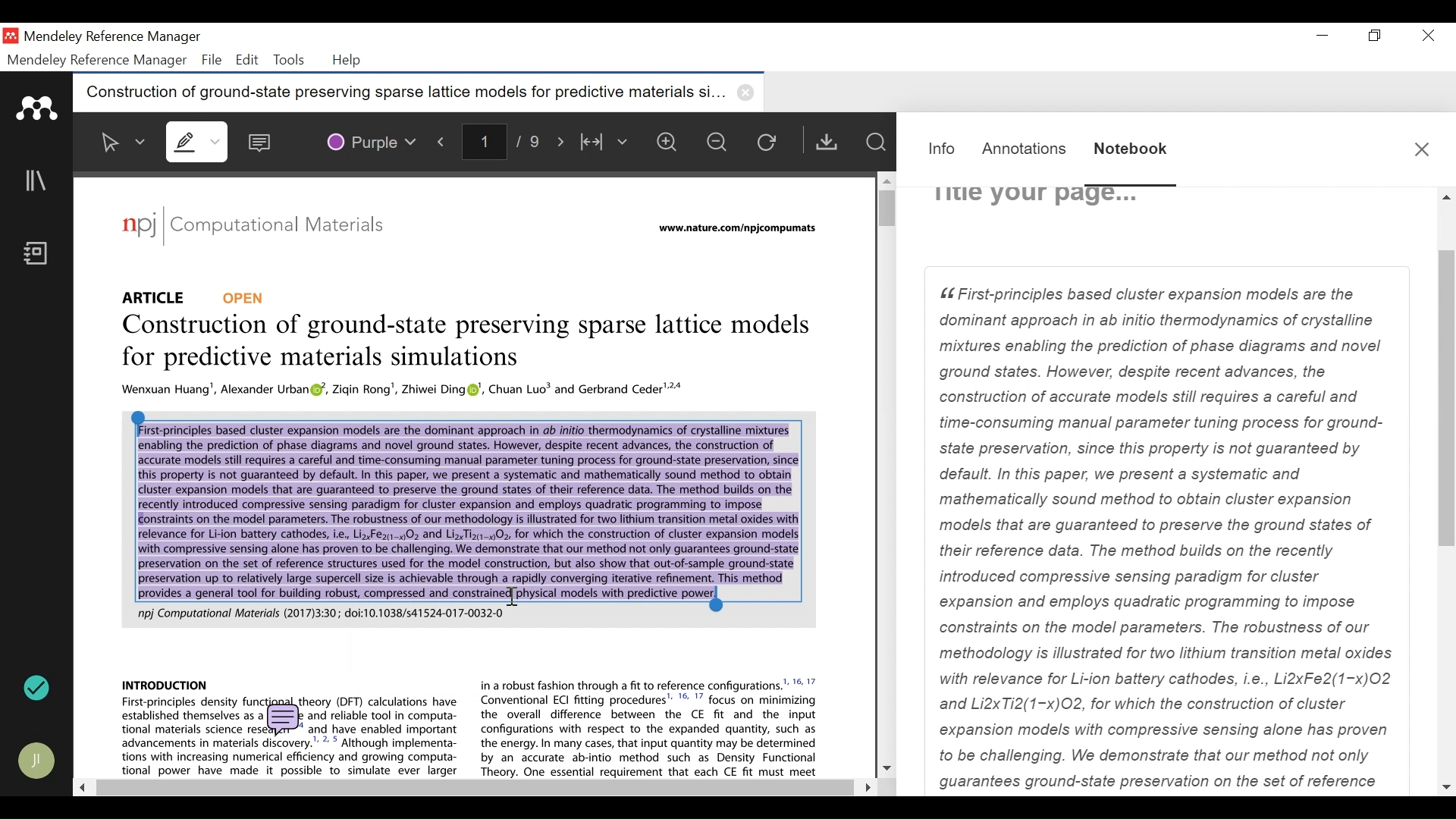 Image resolution: width=1456 pixels, height=819 pixels. What do you see at coordinates (98, 61) in the screenshot?
I see `Mendeley Reference Manager` at bounding box center [98, 61].